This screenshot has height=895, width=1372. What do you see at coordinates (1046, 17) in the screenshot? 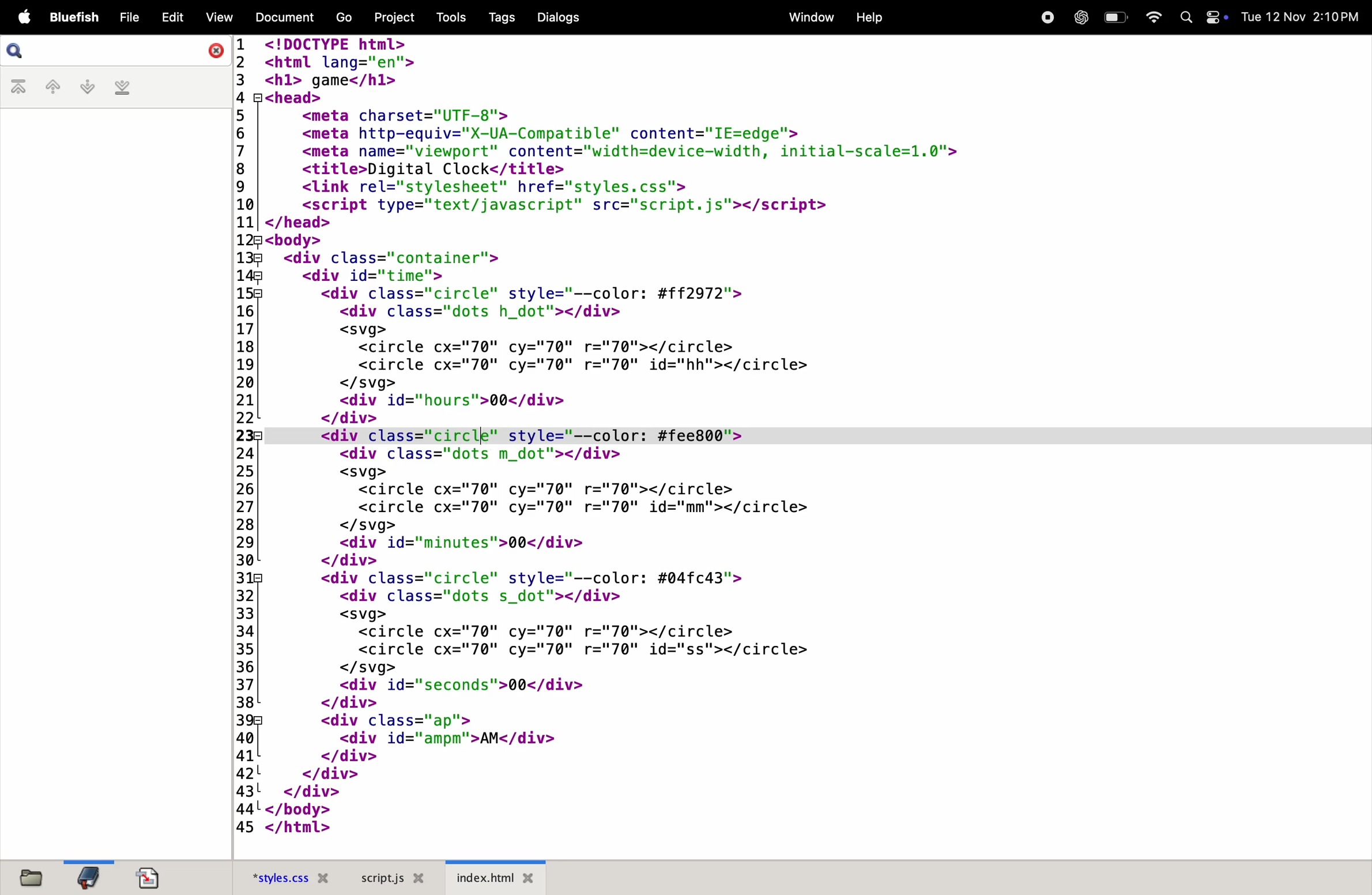
I see `record` at bounding box center [1046, 17].